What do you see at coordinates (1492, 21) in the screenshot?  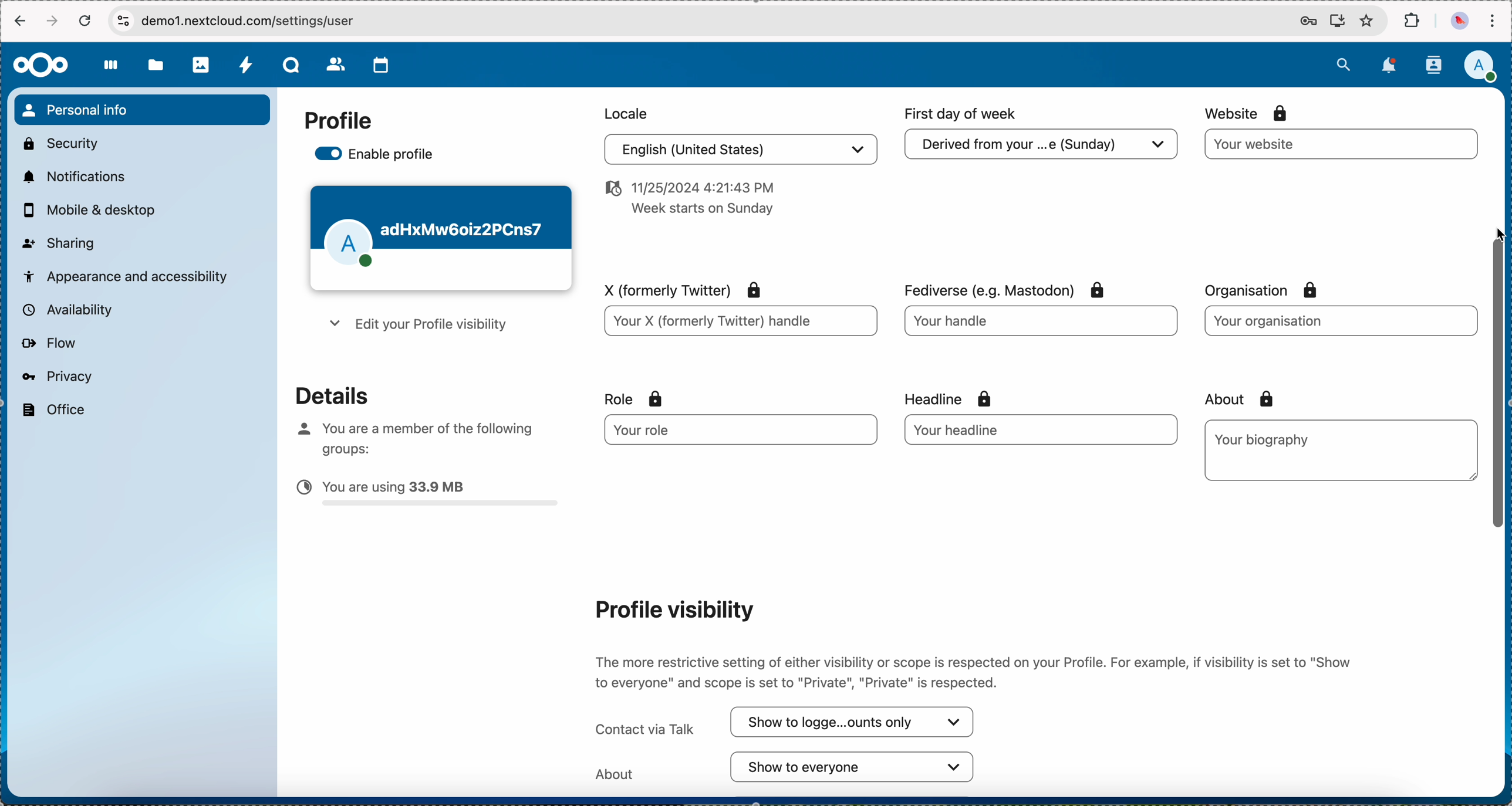 I see `customize and control Google Chrome` at bounding box center [1492, 21].